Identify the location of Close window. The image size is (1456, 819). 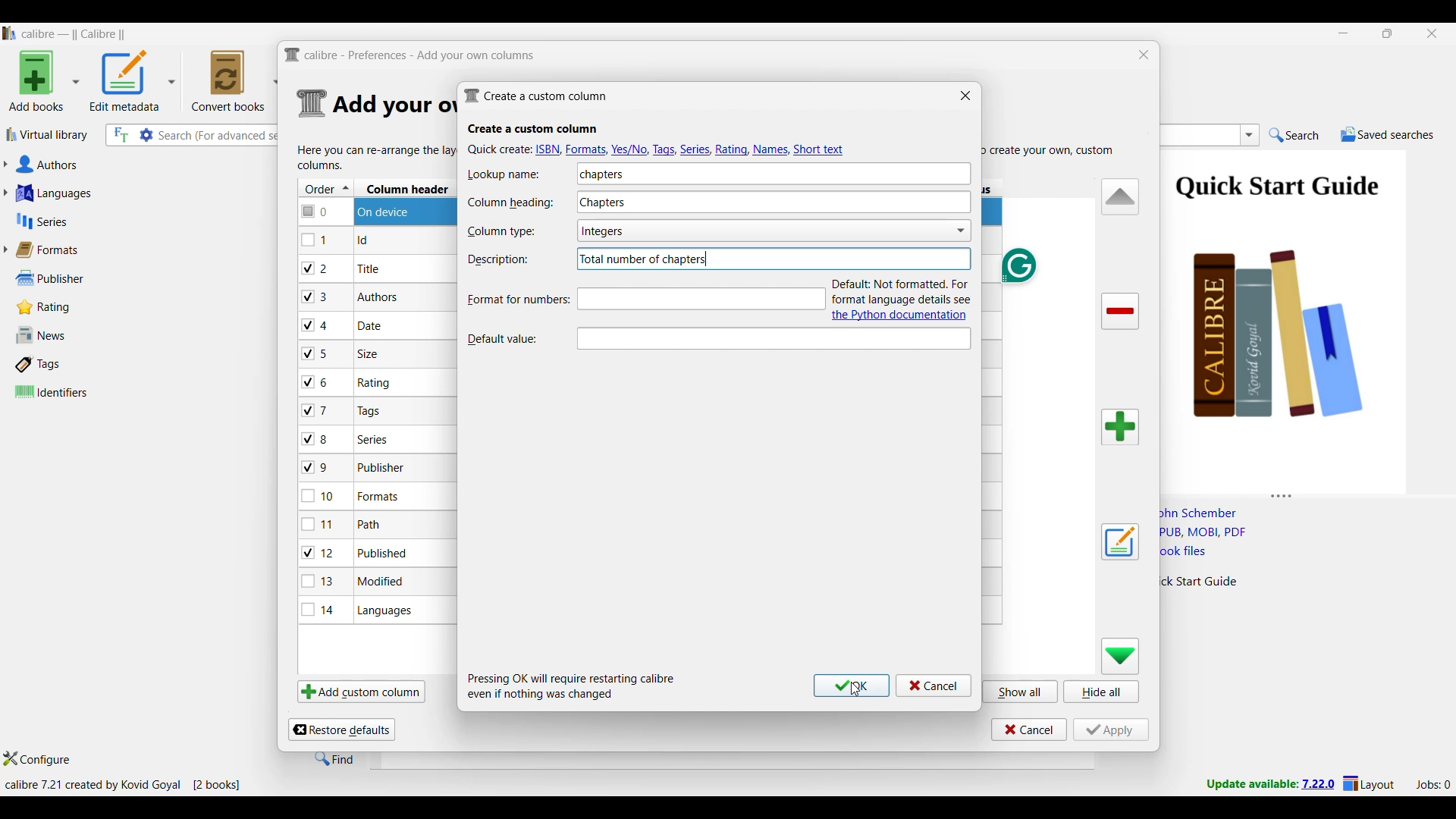
(965, 95).